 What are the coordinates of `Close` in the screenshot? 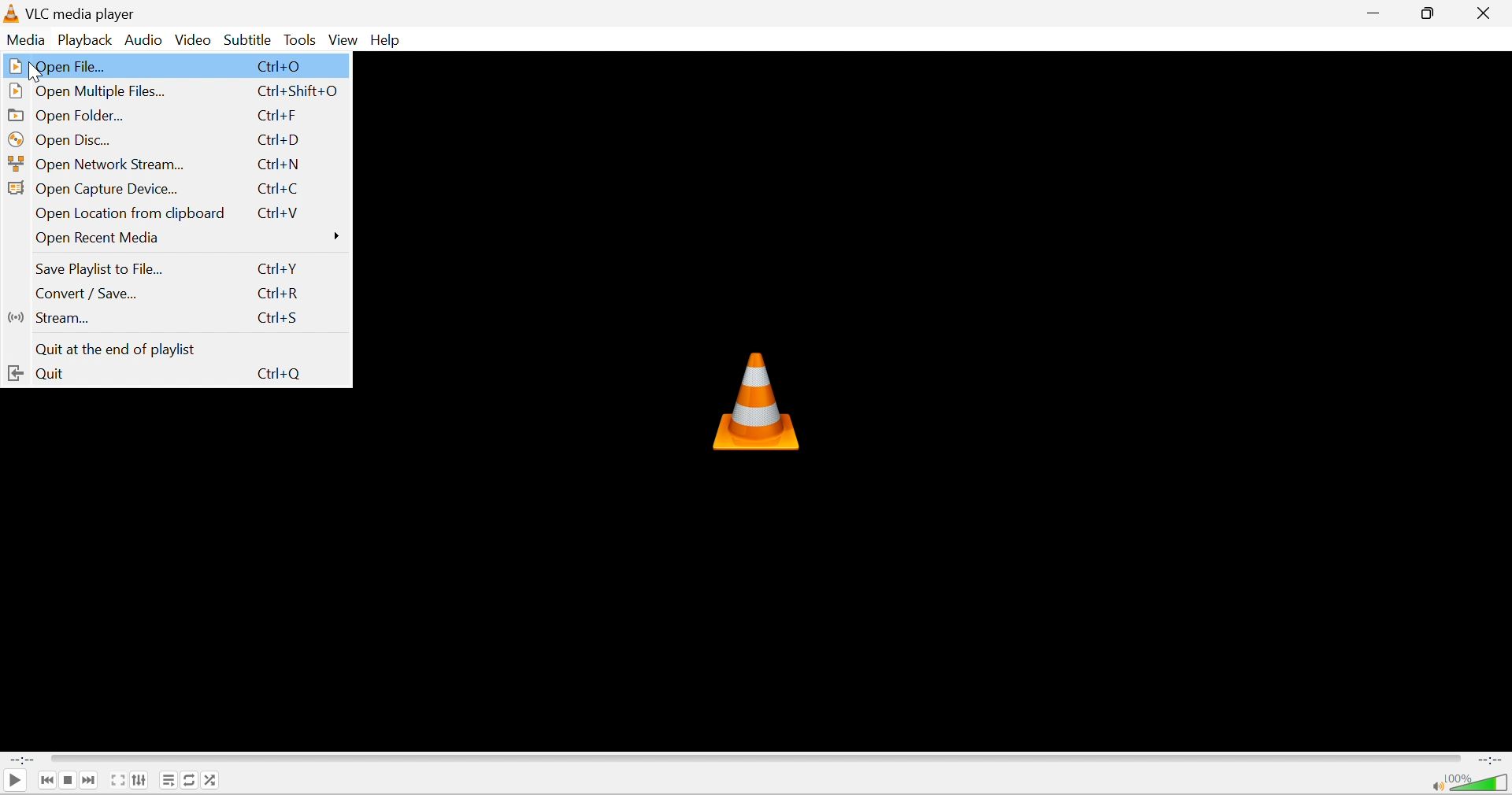 It's located at (1489, 13).